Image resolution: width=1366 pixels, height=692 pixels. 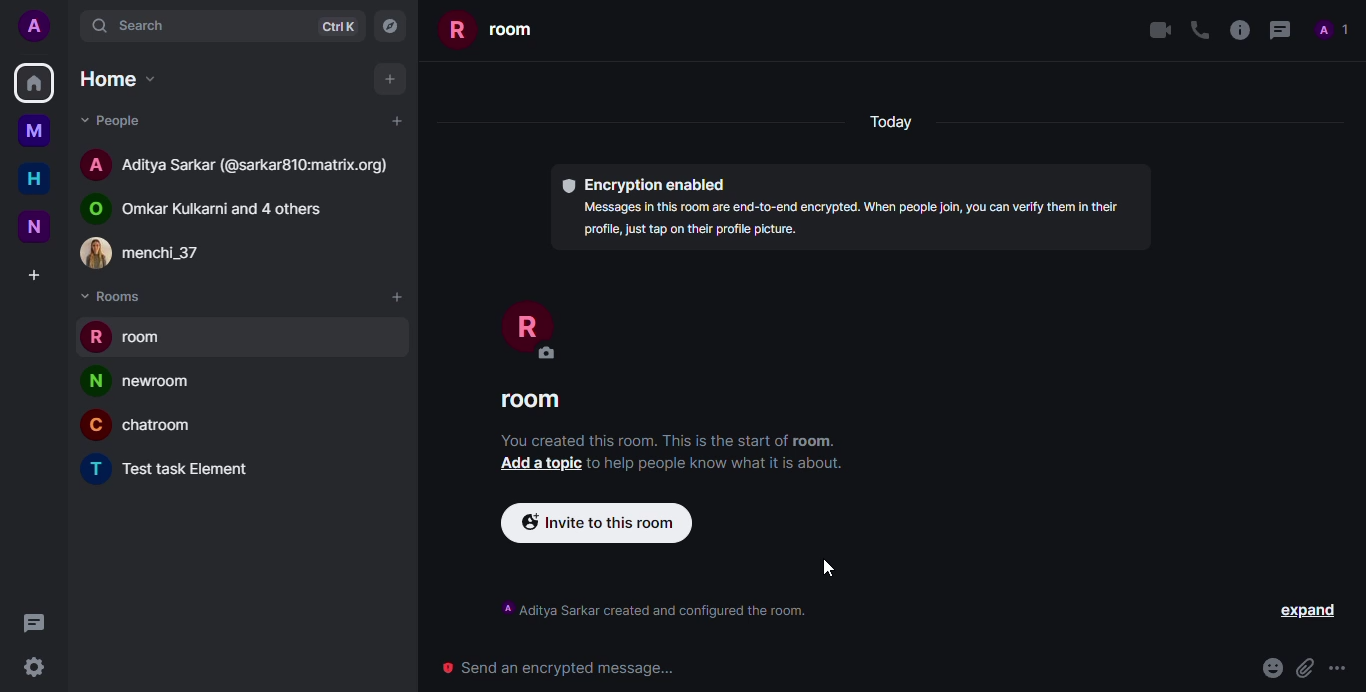 What do you see at coordinates (1275, 30) in the screenshot?
I see `threads` at bounding box center [1275, 30].